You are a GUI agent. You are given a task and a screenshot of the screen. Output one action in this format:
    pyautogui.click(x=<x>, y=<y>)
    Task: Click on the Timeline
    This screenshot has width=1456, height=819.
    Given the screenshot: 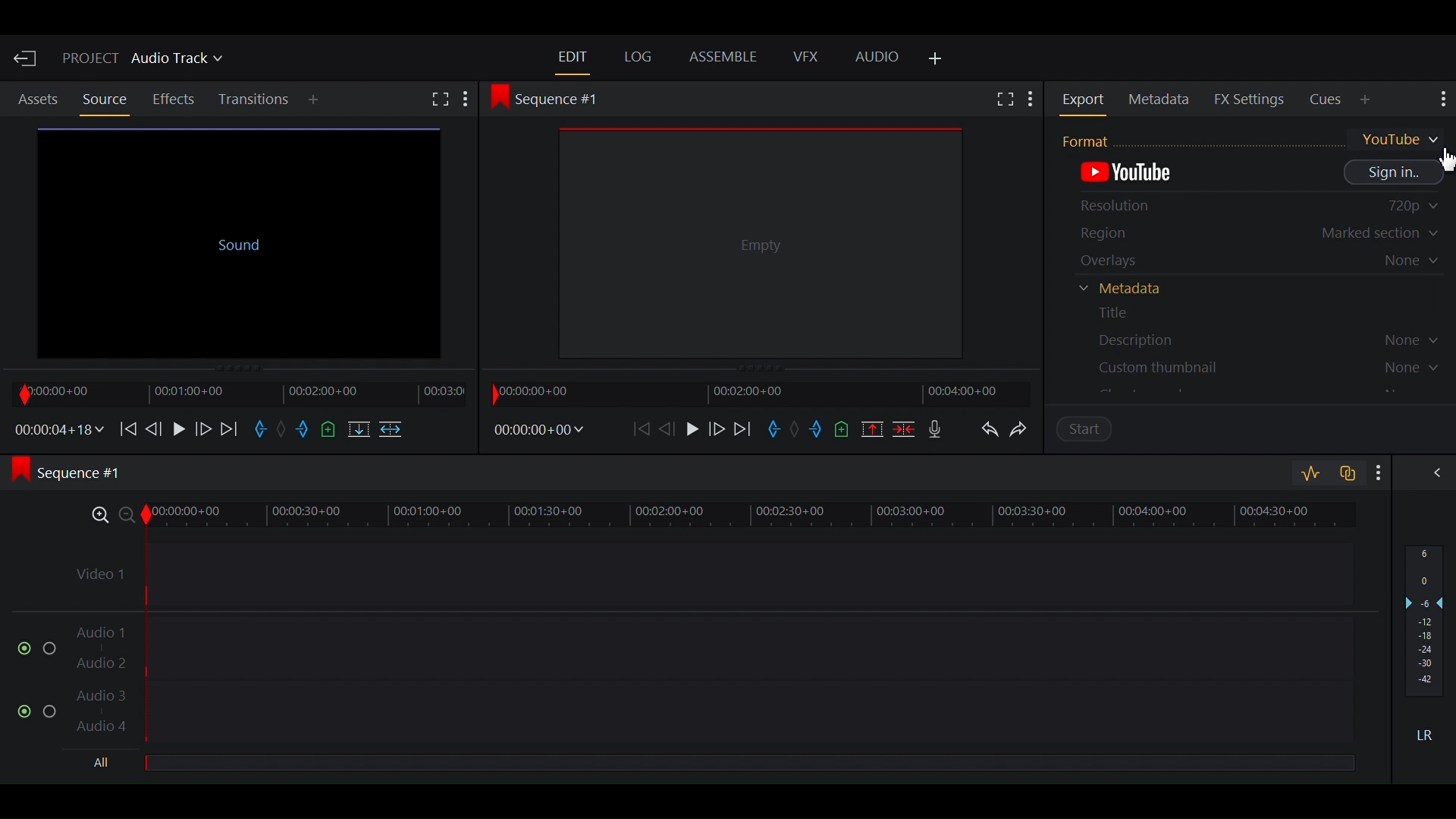 What is the action you would take?
    pyautogui.click(x=755, y=393)
    